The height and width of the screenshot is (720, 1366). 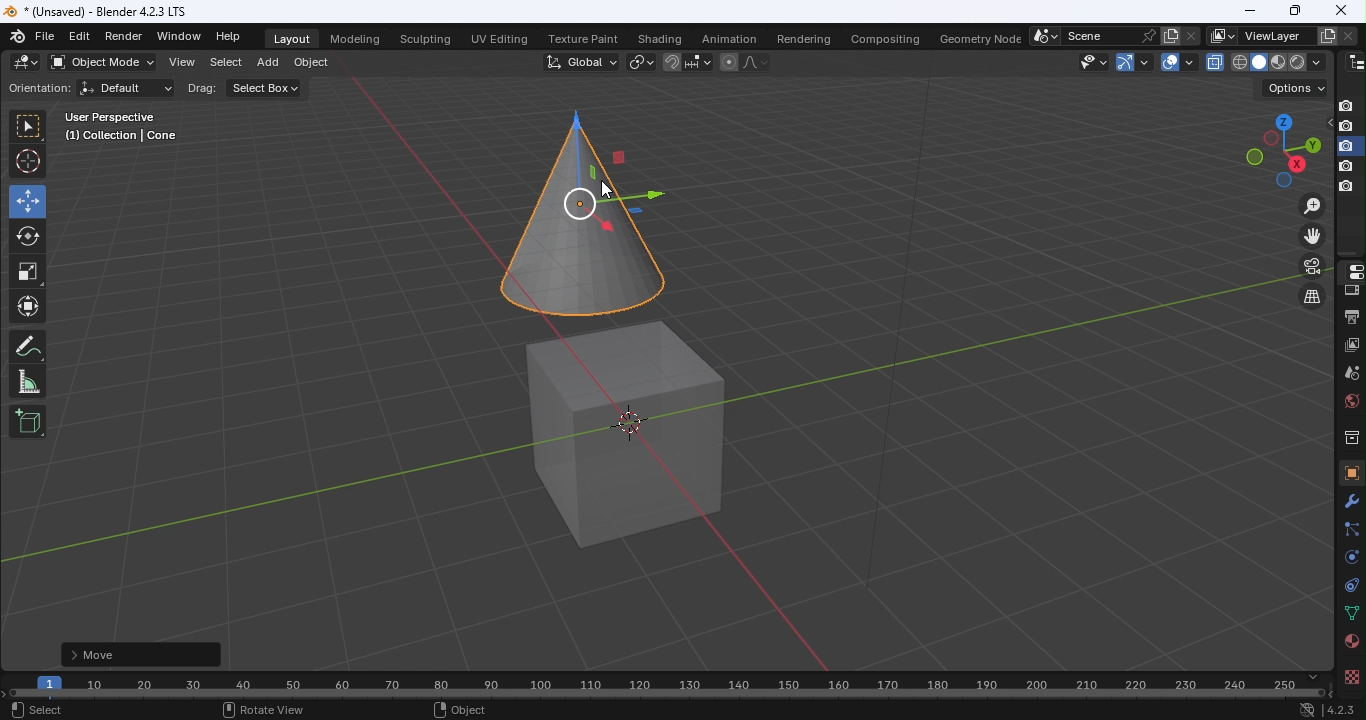 I want to click on Rotate the view, so click(x=1283, y=182).